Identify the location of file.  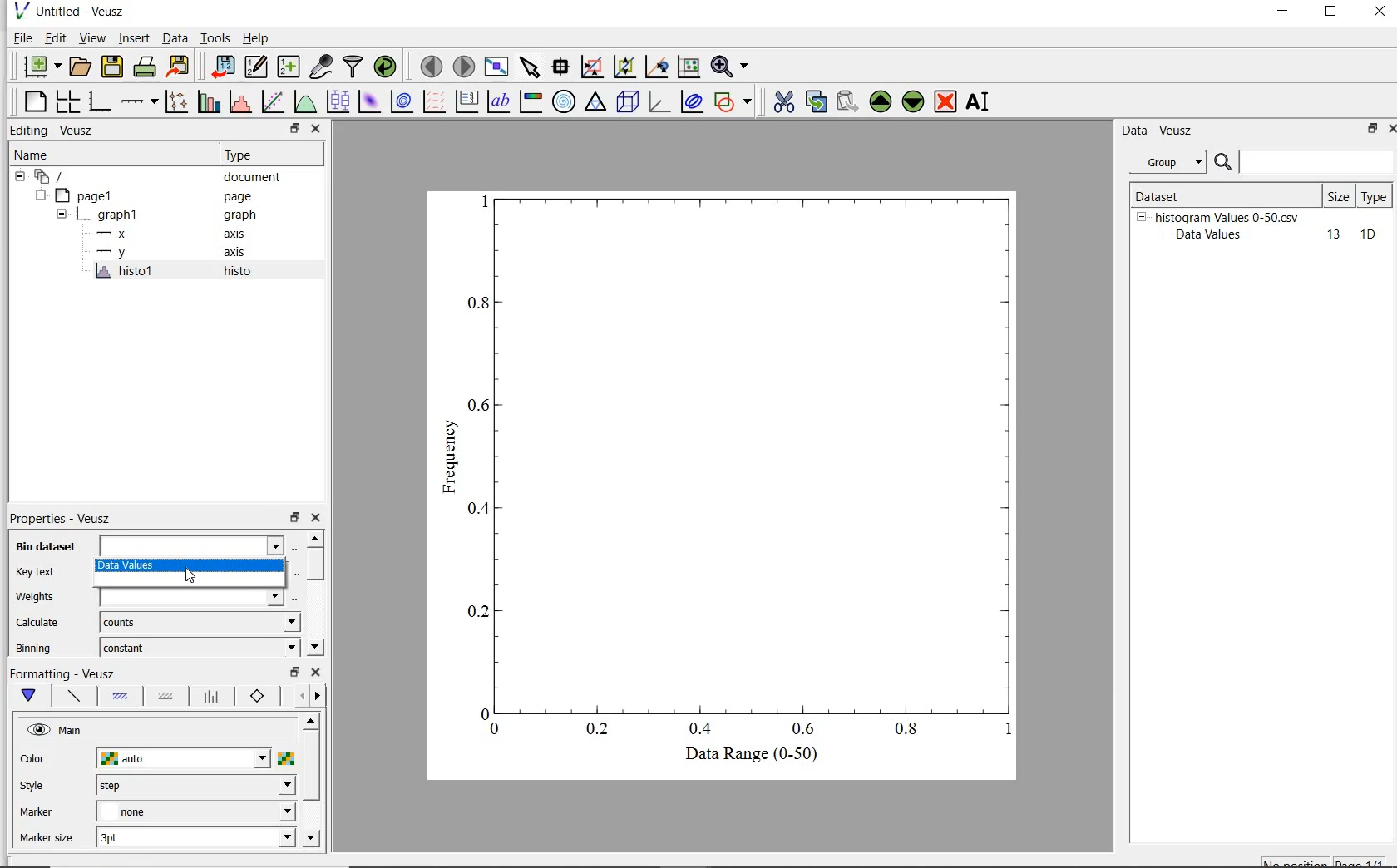
(22, 37).